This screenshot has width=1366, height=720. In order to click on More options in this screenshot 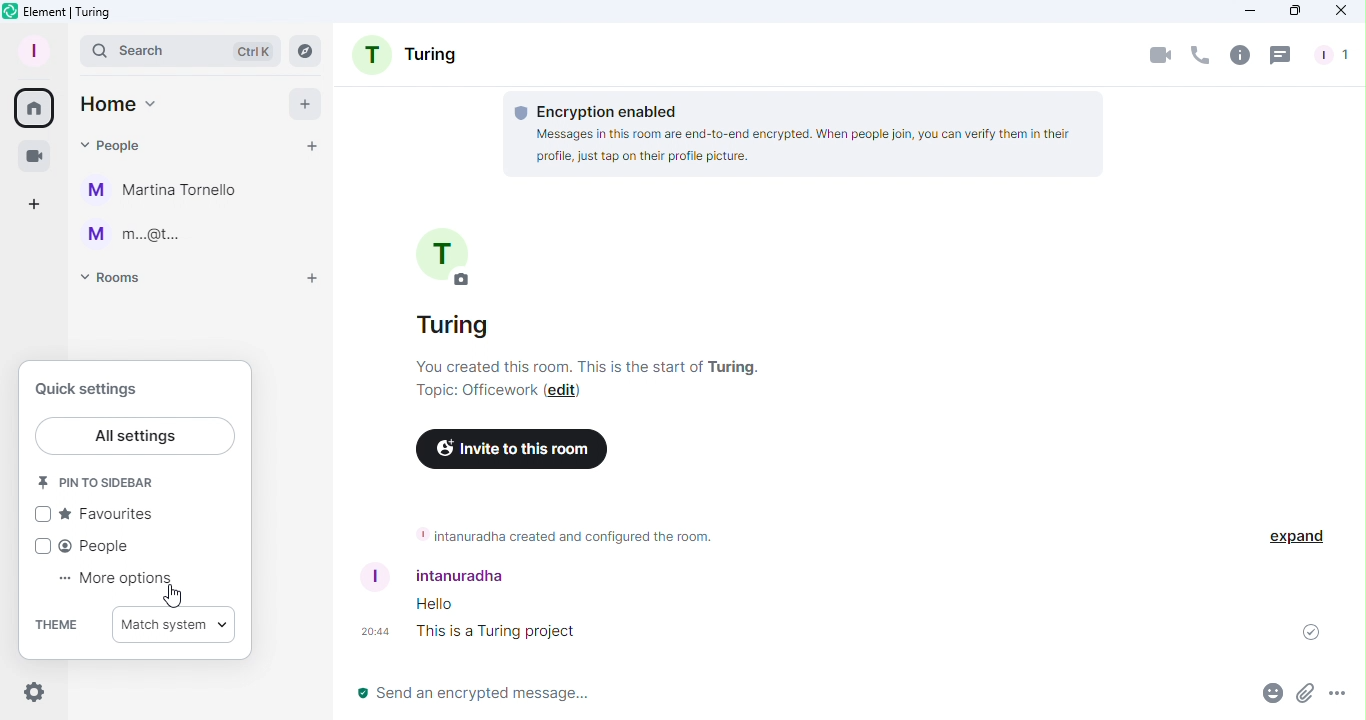, I will do `click(1341, 697)`.